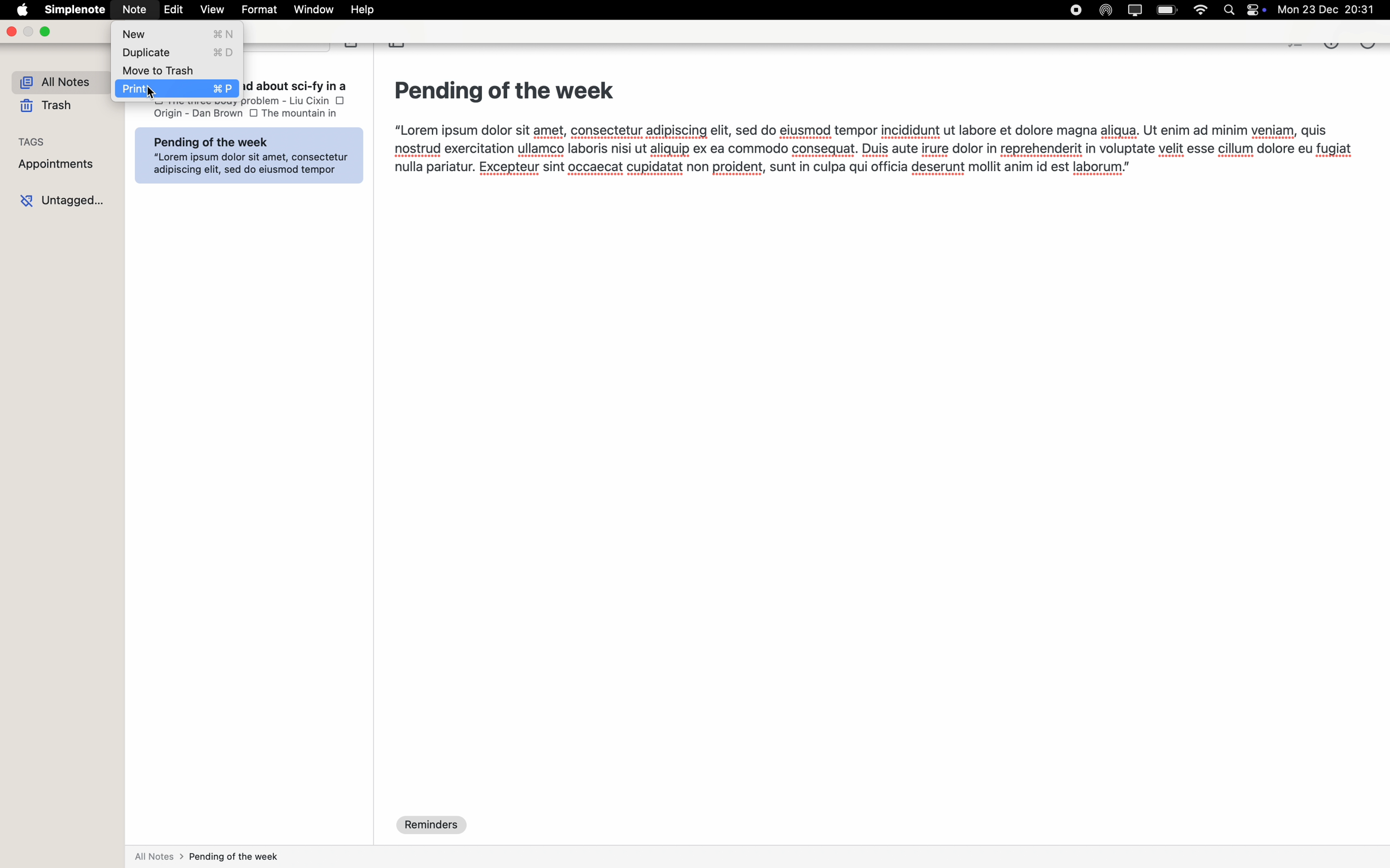 The height and width of the screenshot is (868, 1390). What do you see at coordinates (57, 169) in the screenshot?
I see `appointments` at bounding box center [57, 169].